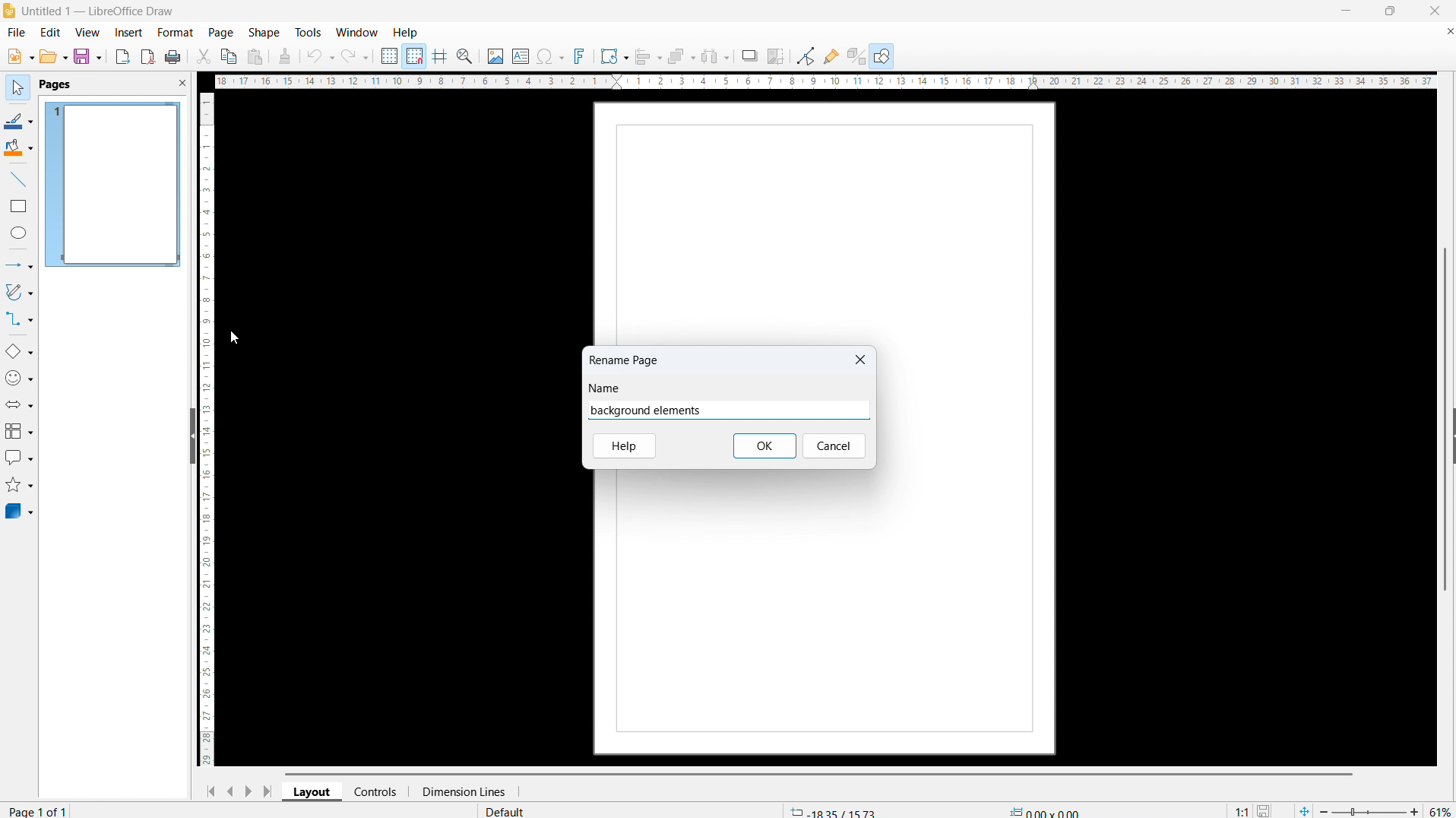  Describe the element at coordinates (388, 55) in the screenshot. I see `display grid` at that location.